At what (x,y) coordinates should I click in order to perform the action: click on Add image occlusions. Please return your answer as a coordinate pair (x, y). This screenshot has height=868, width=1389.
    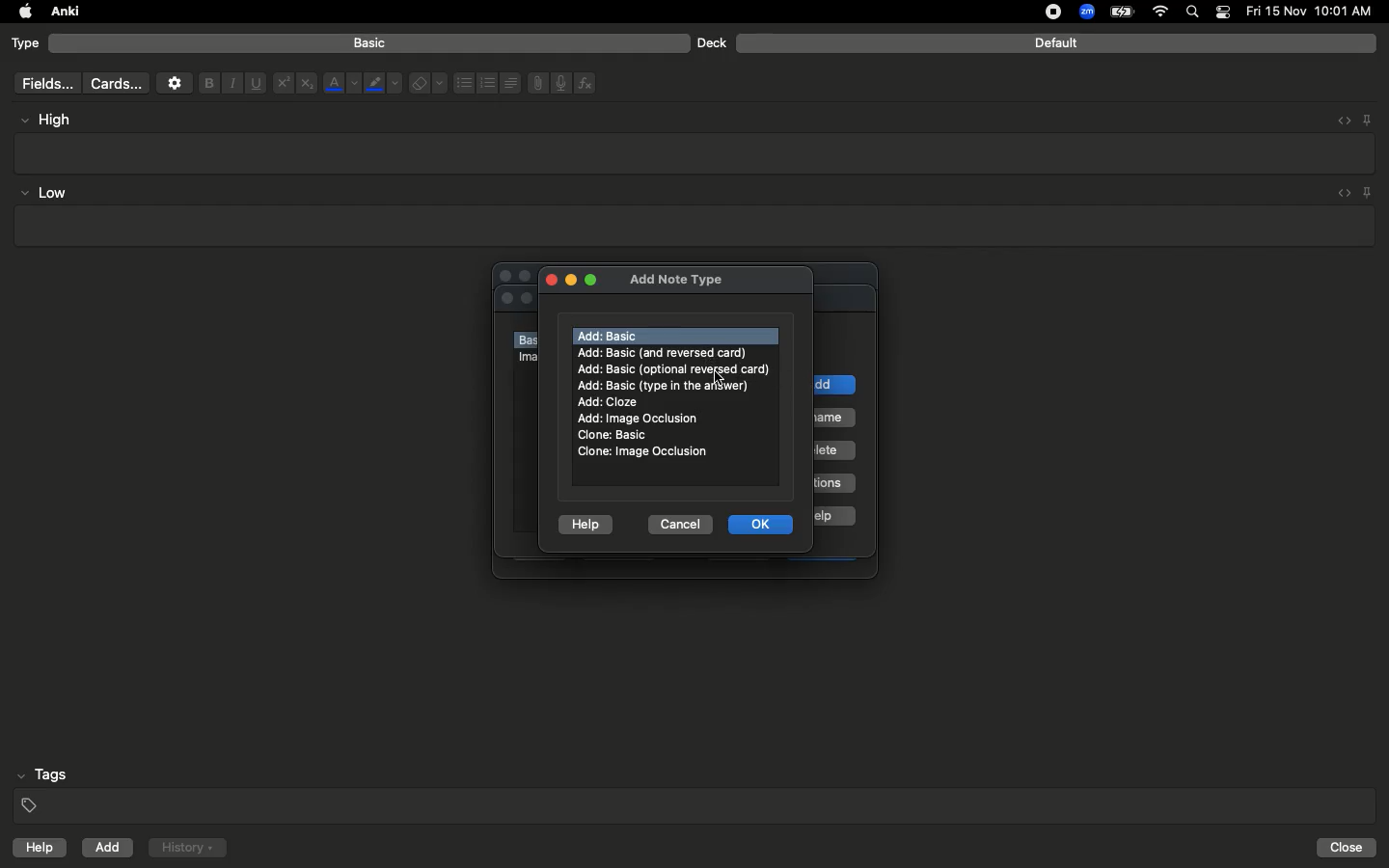
    Looking at the image, I should click on (642, 419).